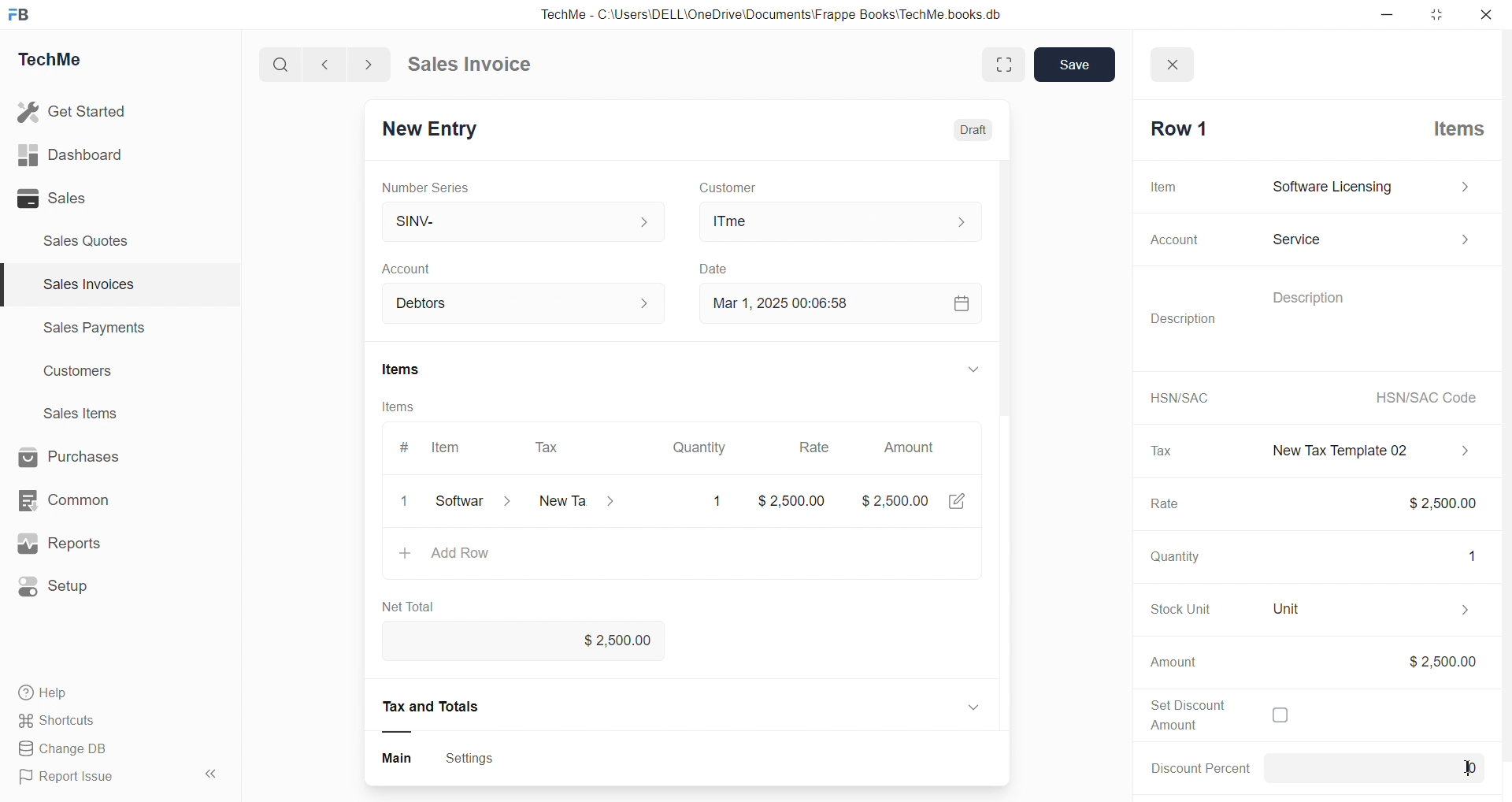 The height and width of the screenshot is (802, 1512). What do you see at coordinates (63, 722) in the screenshot?
I see ` Shortcuts` at bounding box center [63, 722].